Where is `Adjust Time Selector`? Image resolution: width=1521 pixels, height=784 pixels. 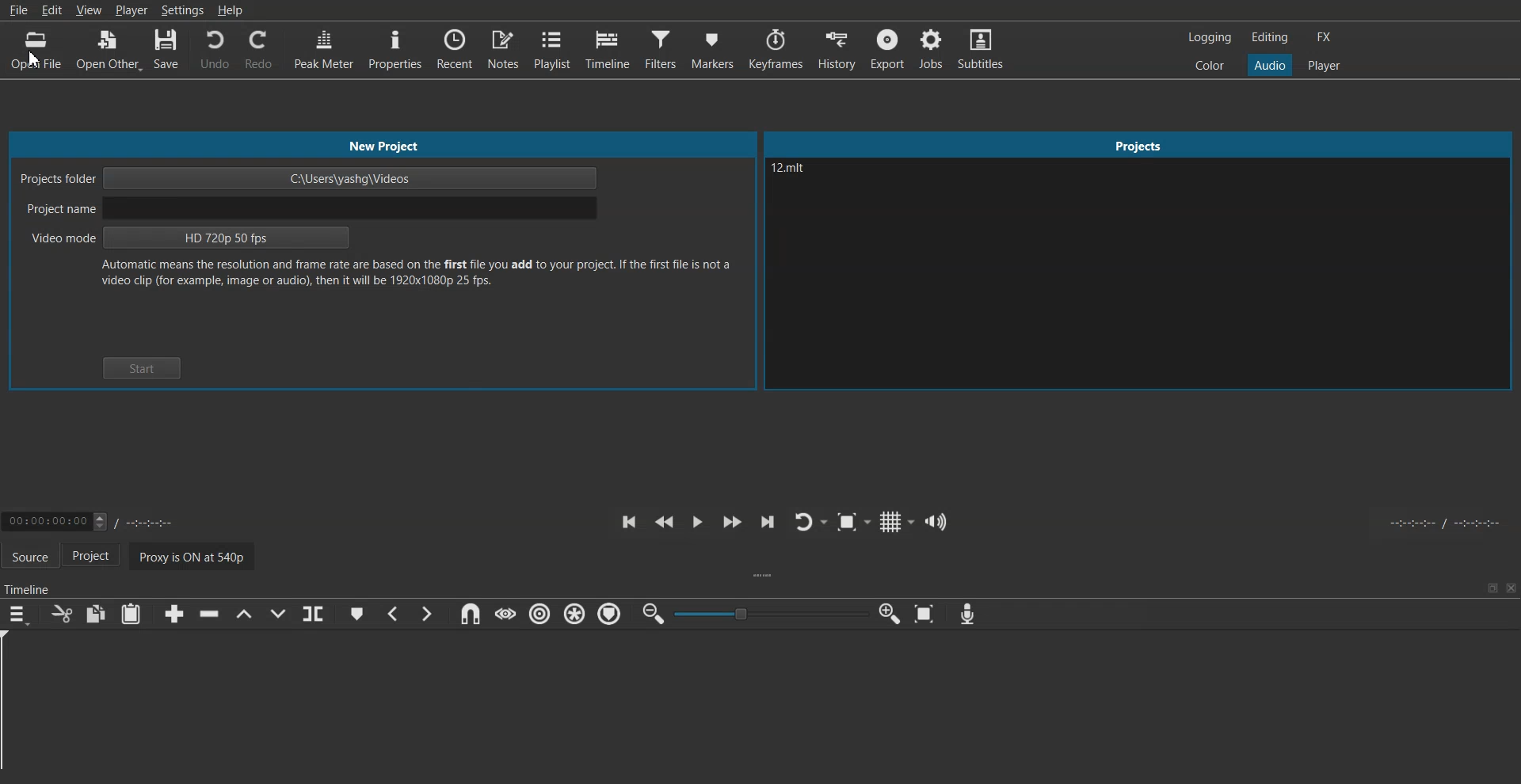 Adjust Time Selector is located at coordinates (93, 519).